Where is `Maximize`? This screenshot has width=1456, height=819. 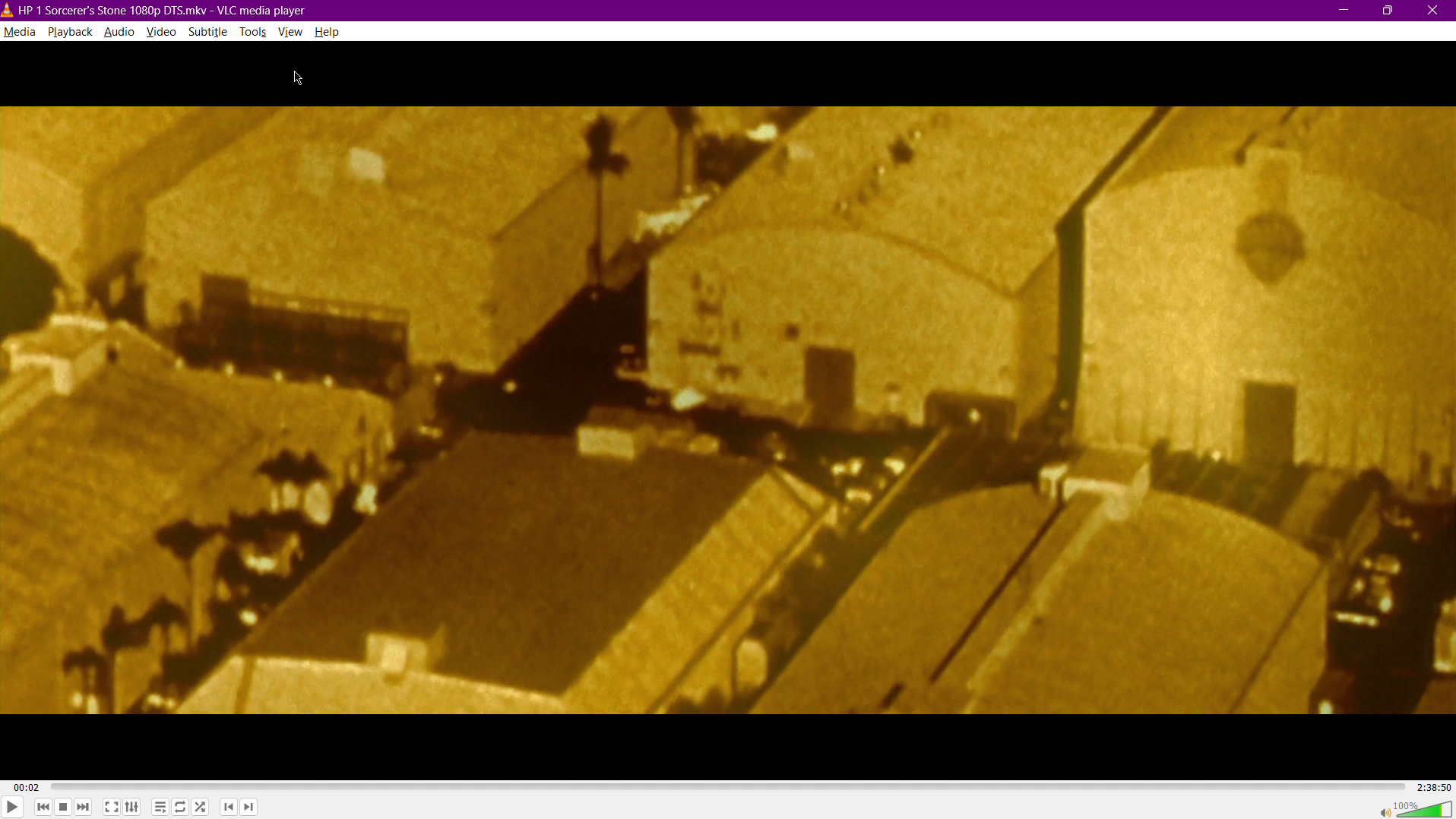
Maximize is located at coordinates (1389, 10).